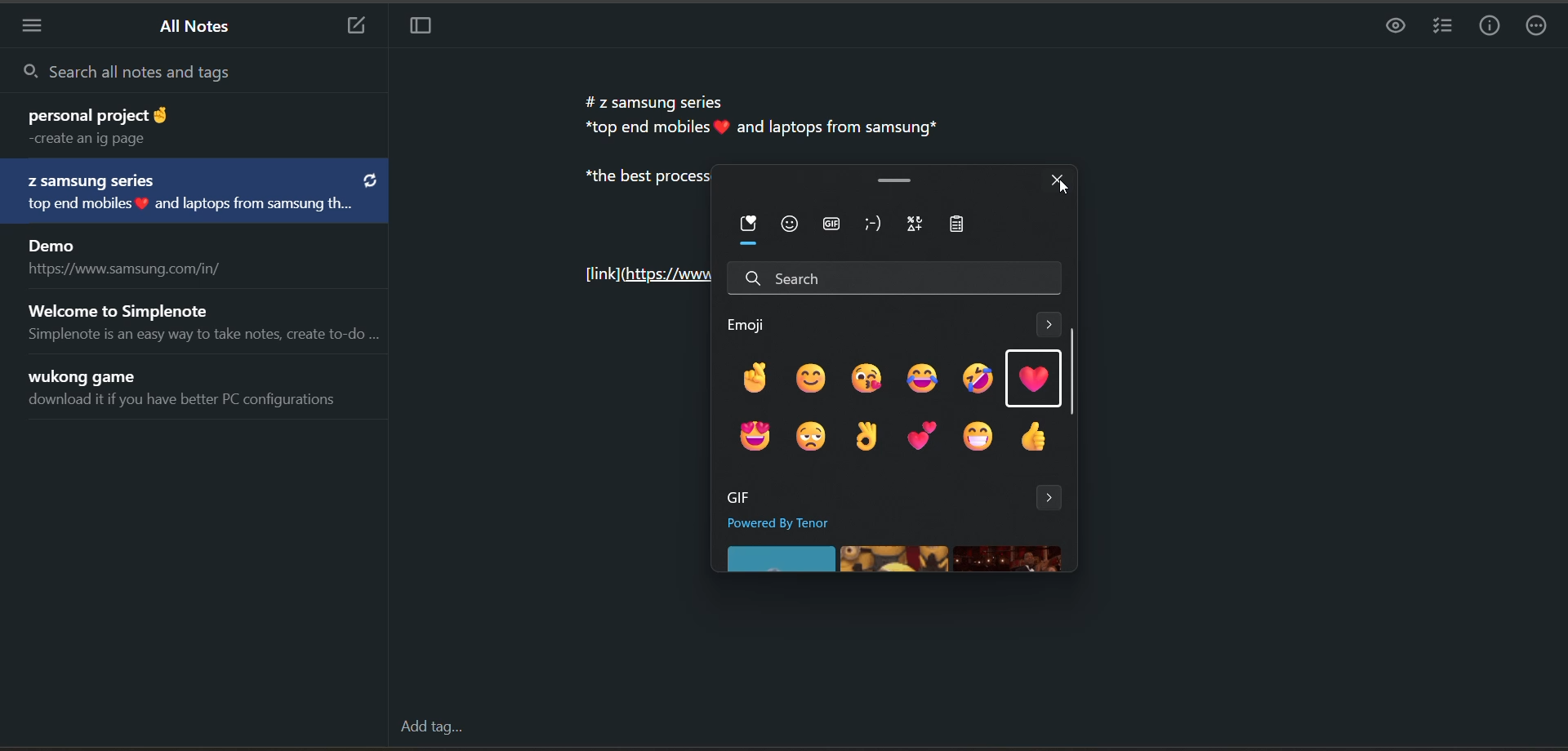 This screenshot has width=1568, height=751. What do you see at coordinates (355, 26) in the screenshot?
I see `new note` at bounding box center [355, 26].